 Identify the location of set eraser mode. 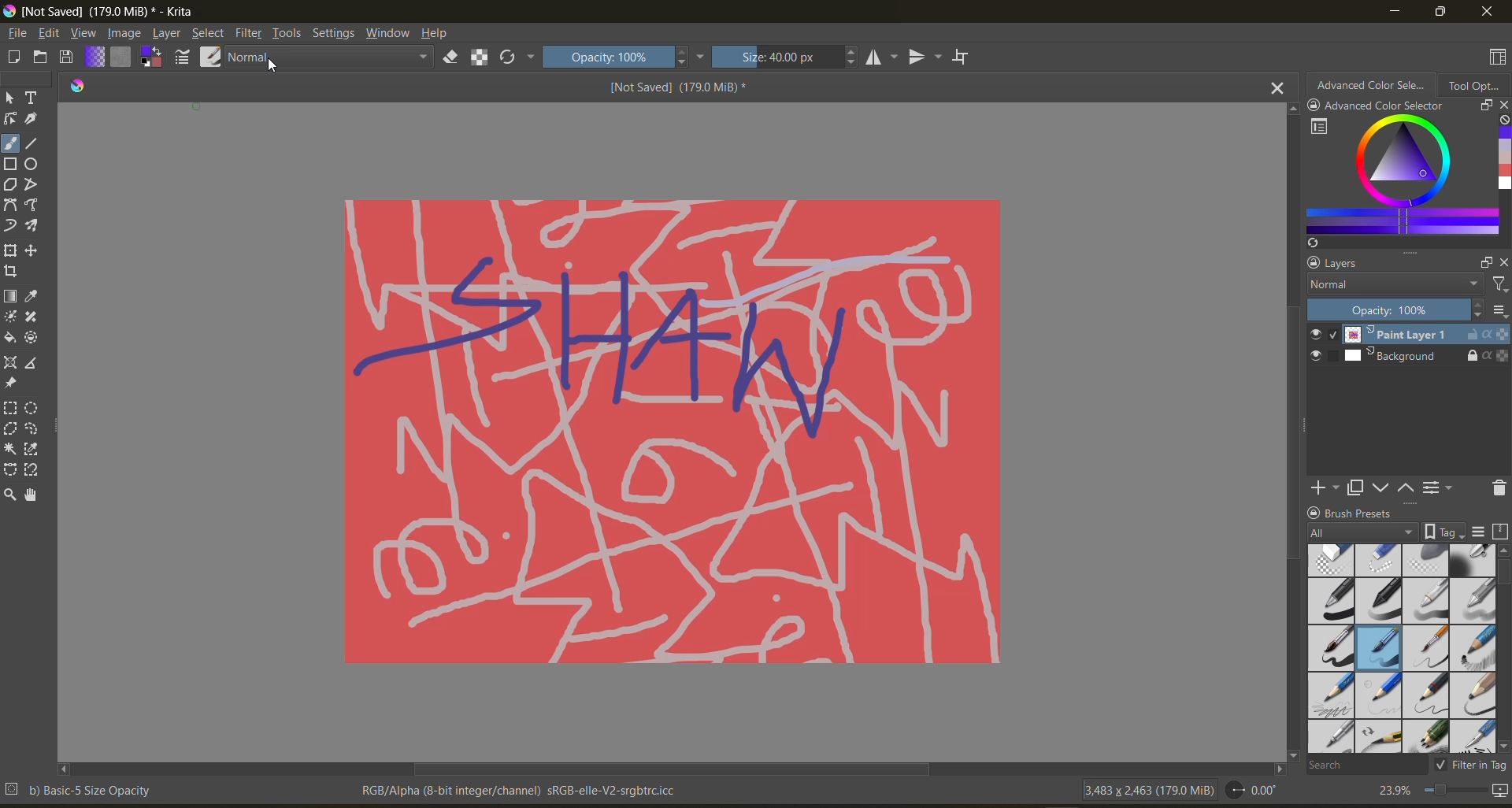
(451, 59).